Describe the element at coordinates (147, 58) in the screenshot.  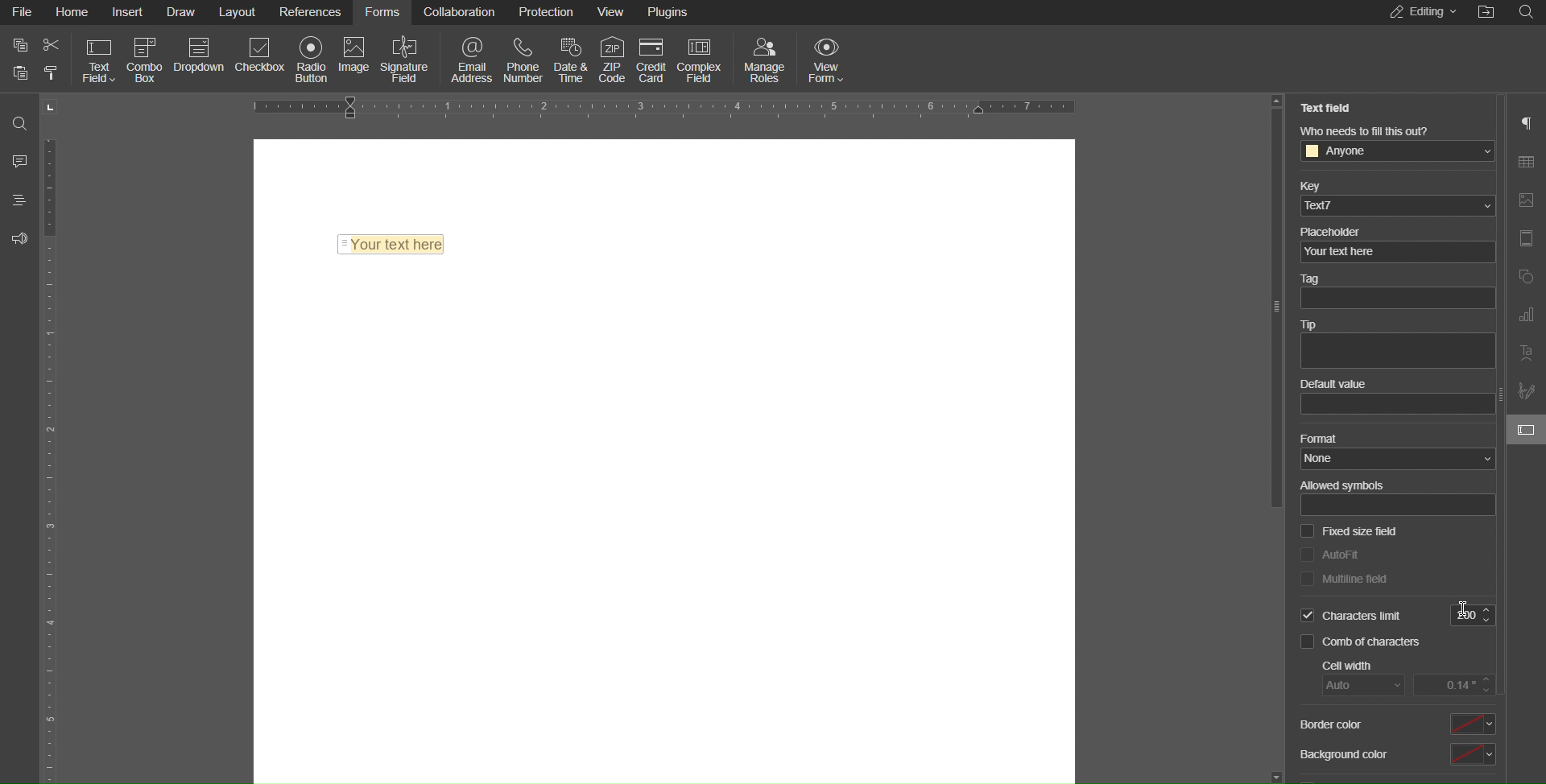
I see `Combo Box` at that location.